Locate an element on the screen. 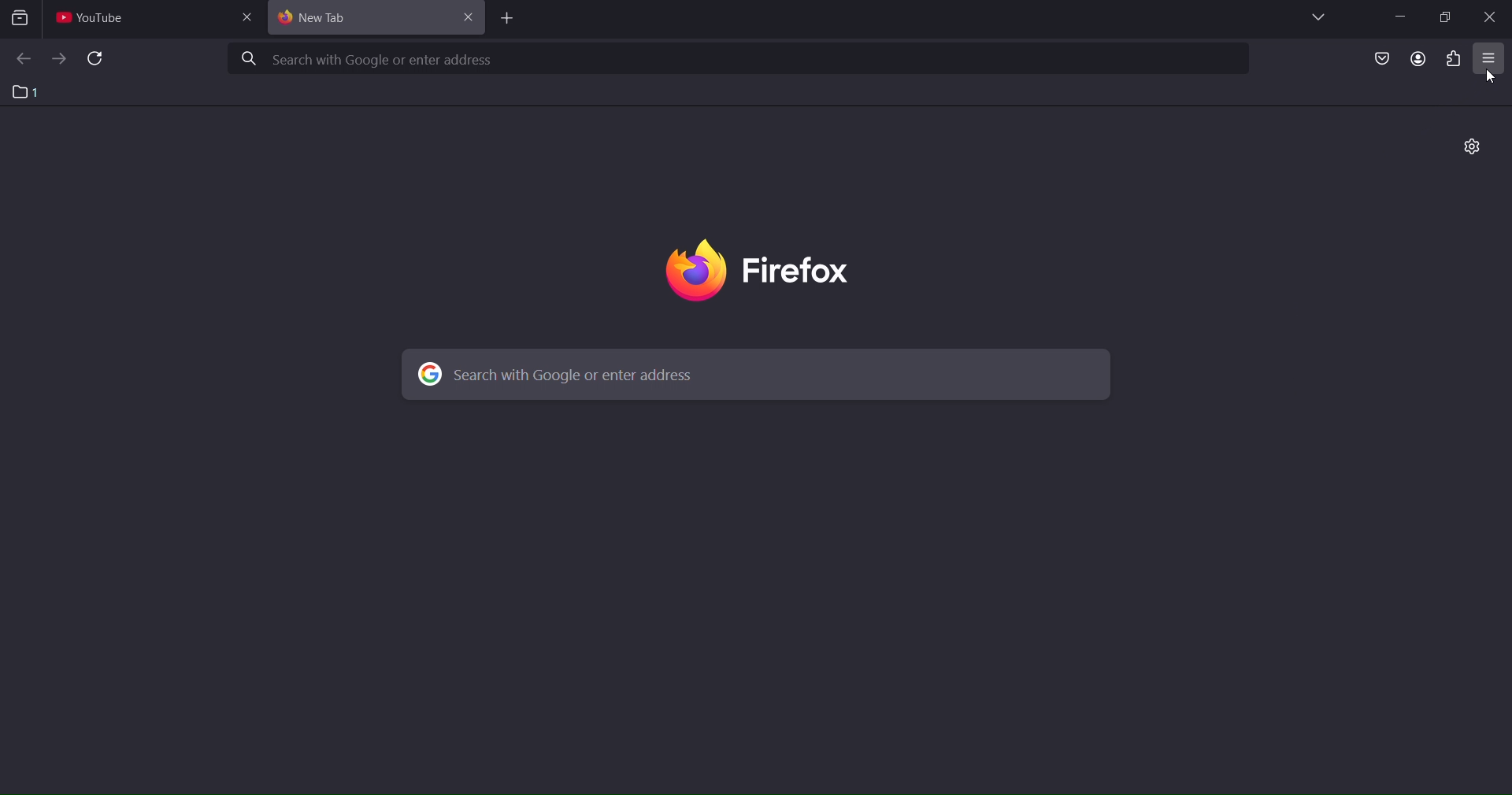 The image size is (1512, 795). reload current page is located at coordinates (96, 60).